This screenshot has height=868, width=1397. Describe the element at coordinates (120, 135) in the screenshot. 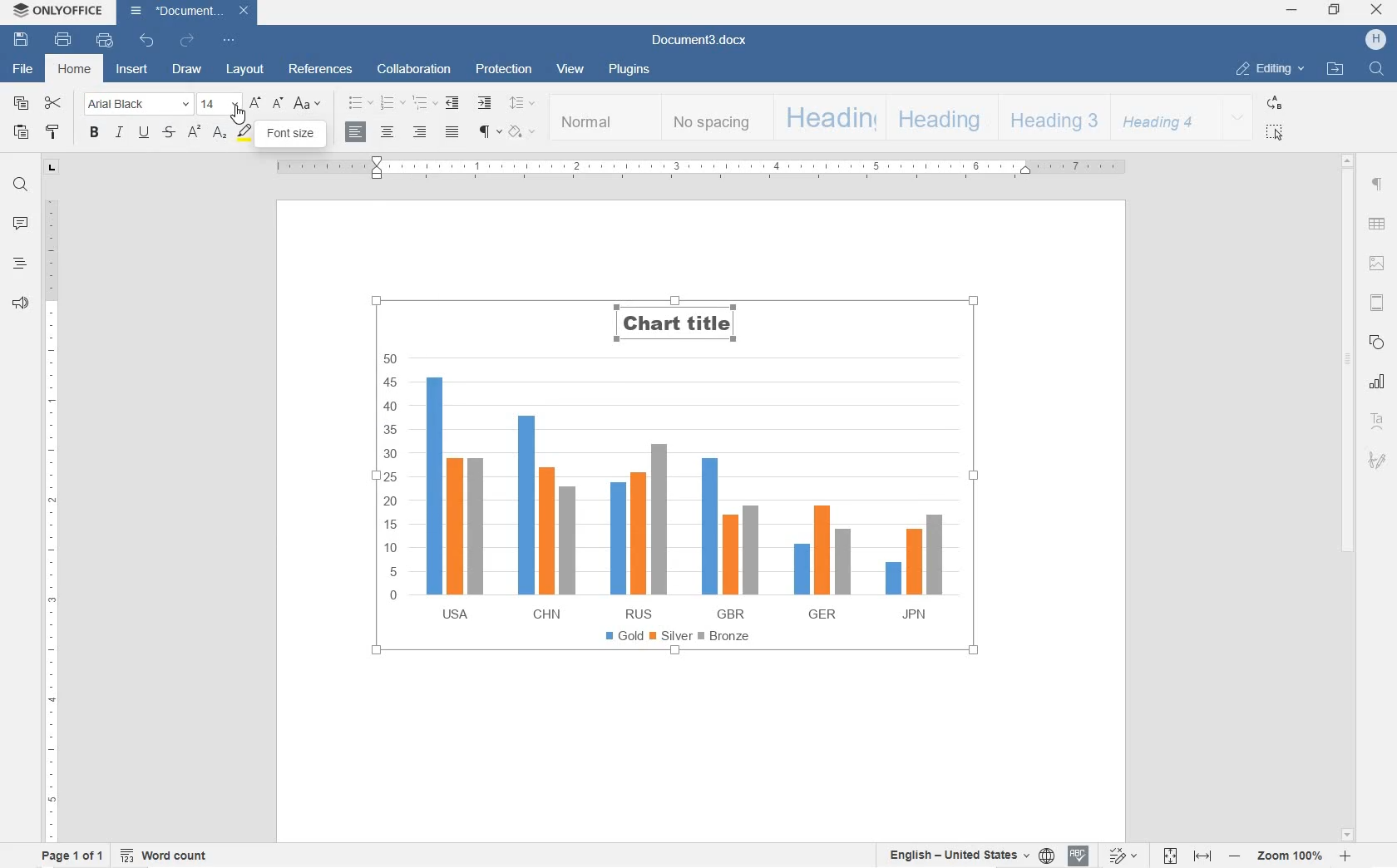

I see `ITALIC` at that location.